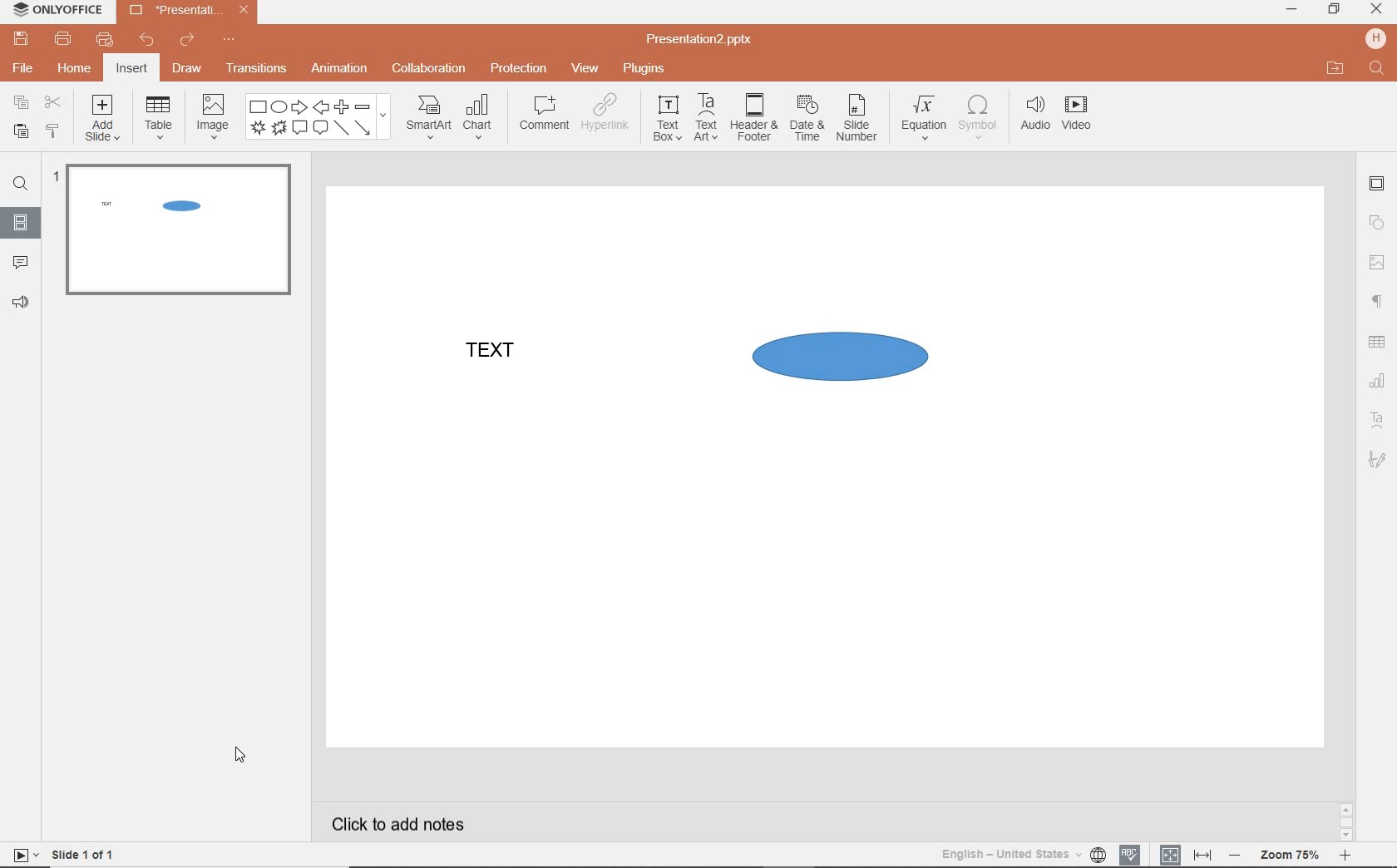 The height and width of the screenshot is (868, 1397). Describe the element at coordinates (1375, 461) in the screenshot. I see `TEXT ART` at that location.